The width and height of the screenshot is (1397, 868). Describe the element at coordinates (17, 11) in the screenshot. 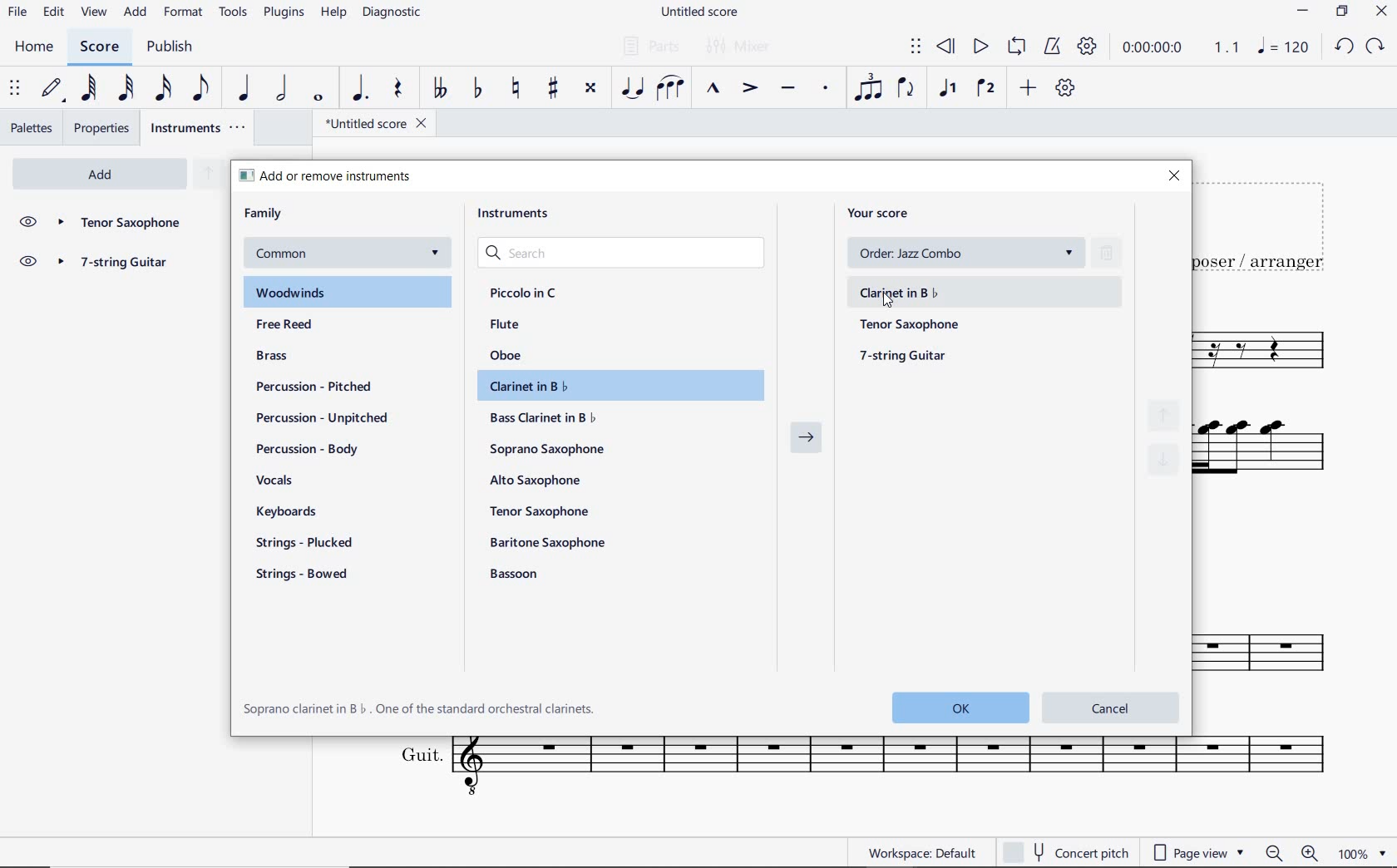

I see `FILE` at that location.